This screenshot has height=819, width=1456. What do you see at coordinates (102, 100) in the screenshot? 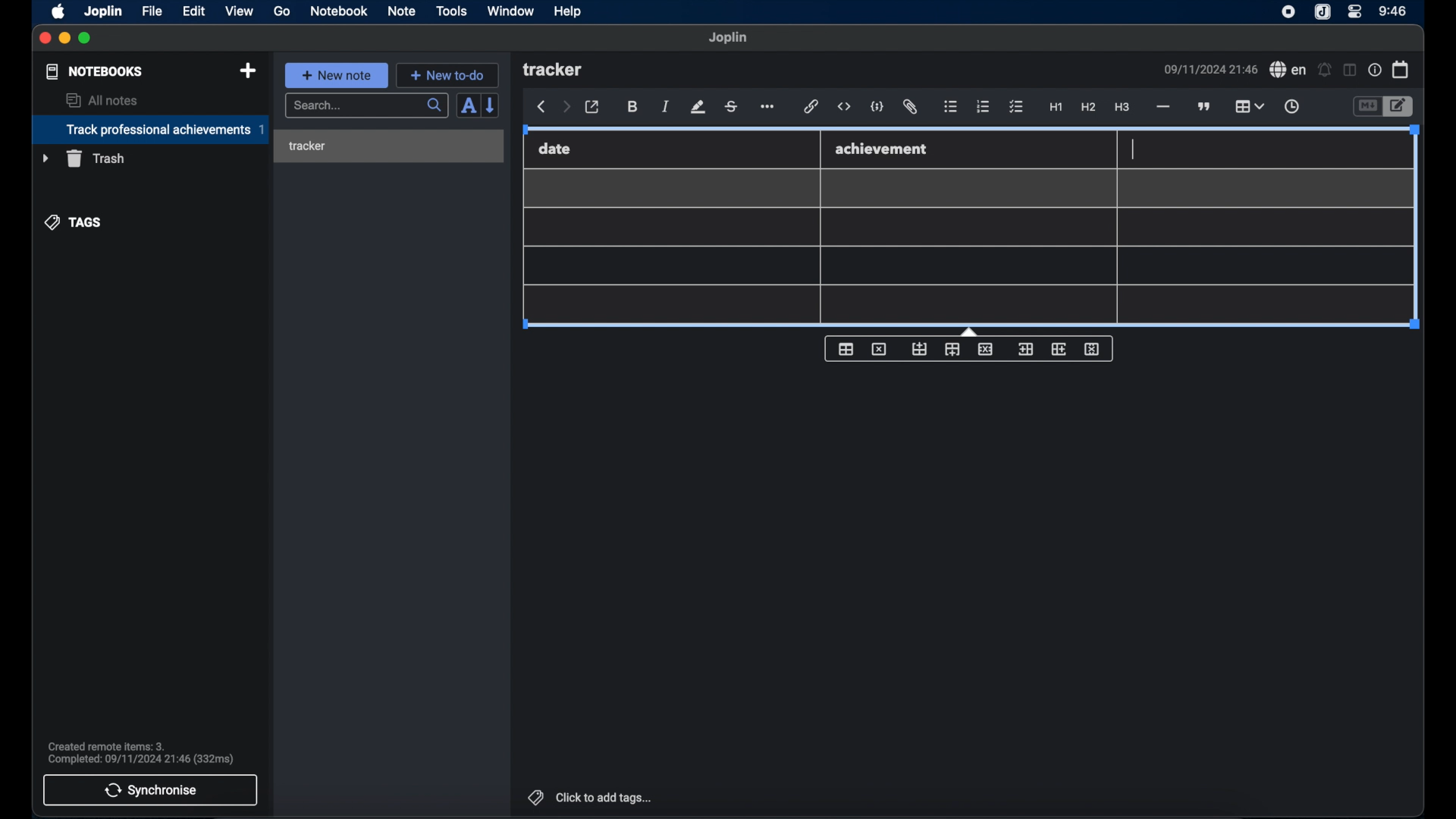
I see `all  notes` at bounding box center [102, 100].